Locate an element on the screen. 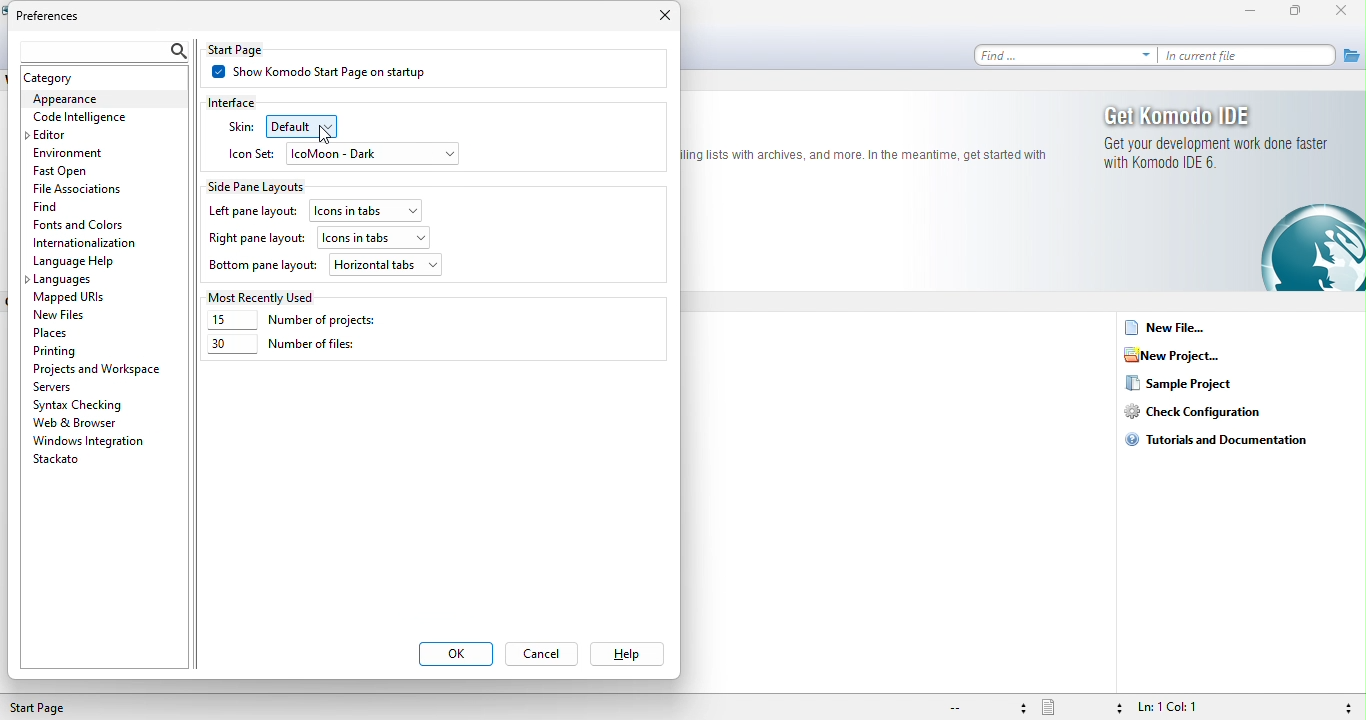  get your development work done faster with komodo ide 6 is located at coordinates (1220, 158).